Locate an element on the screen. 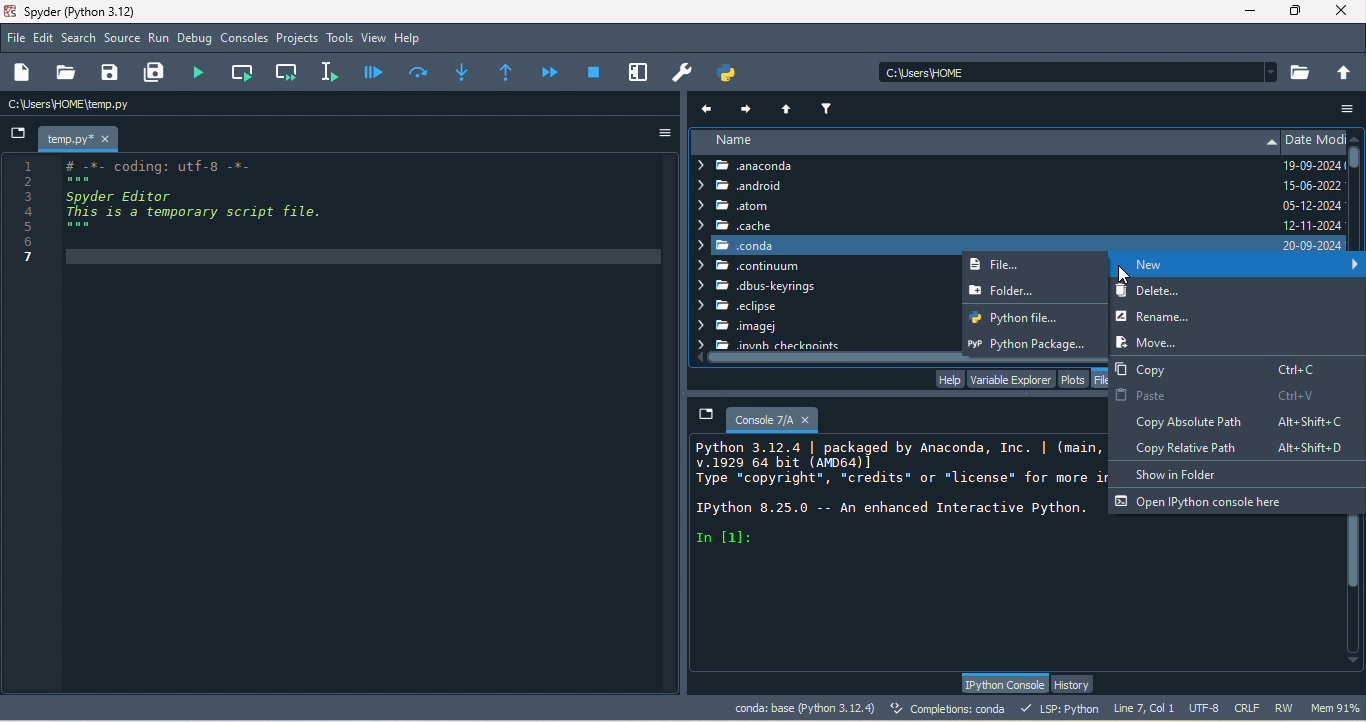 The height and width of the screenshot is (722, 1366). search is located at coordinates (80, 38).